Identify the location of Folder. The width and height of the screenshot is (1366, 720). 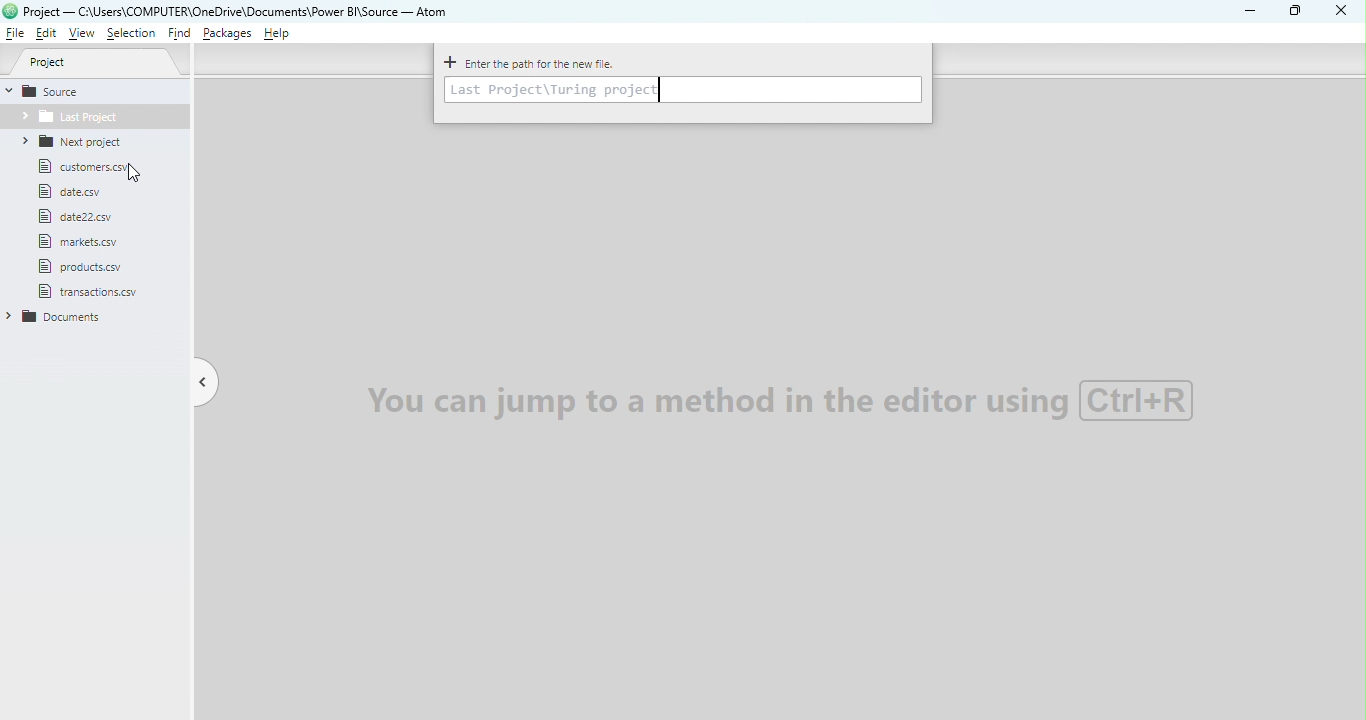
(93, 119).